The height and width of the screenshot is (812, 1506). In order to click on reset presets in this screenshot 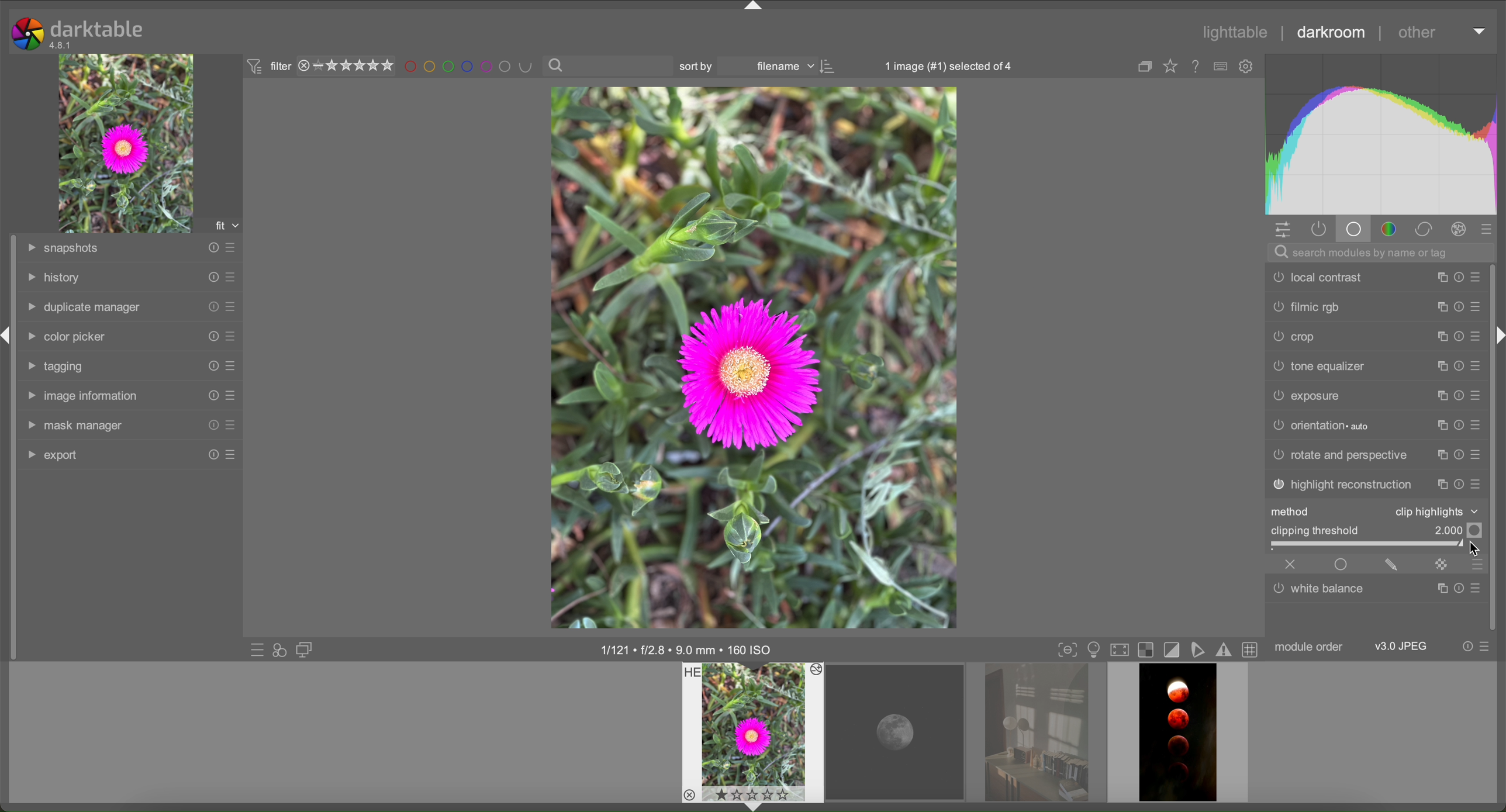, I will do `click(1458, 484)`.